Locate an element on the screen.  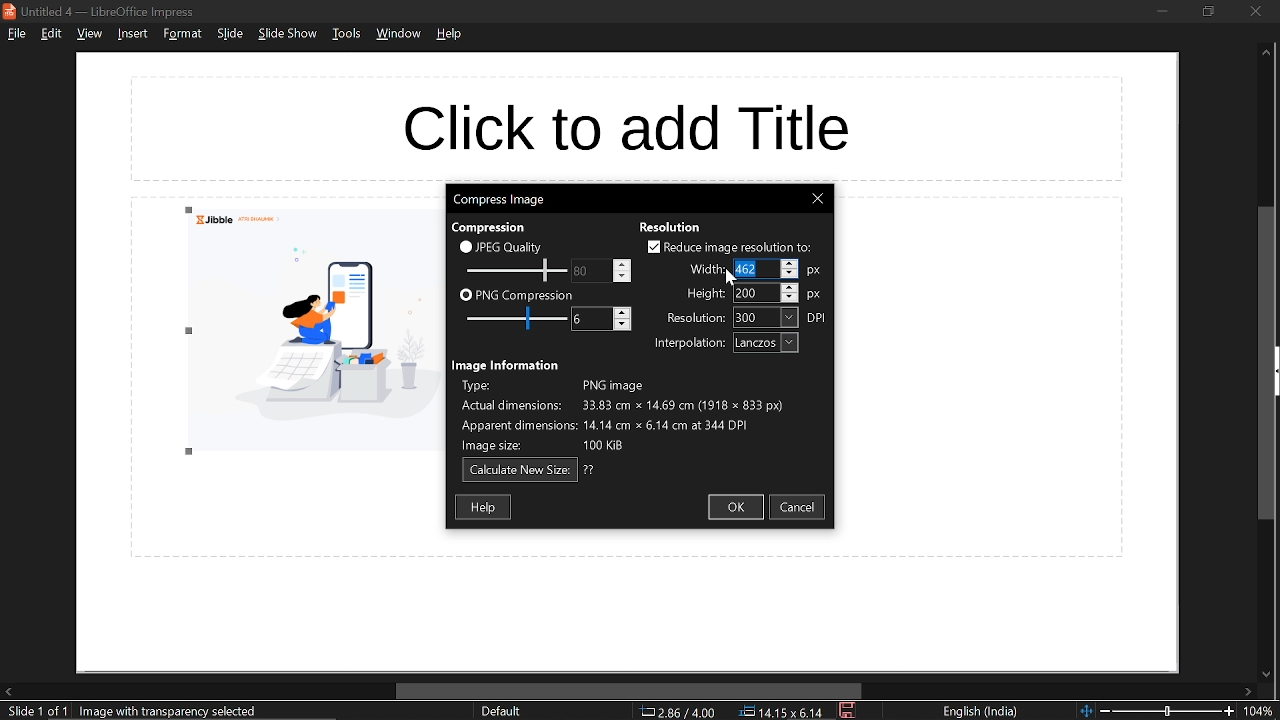
move left is located at coordinates (8, 691).